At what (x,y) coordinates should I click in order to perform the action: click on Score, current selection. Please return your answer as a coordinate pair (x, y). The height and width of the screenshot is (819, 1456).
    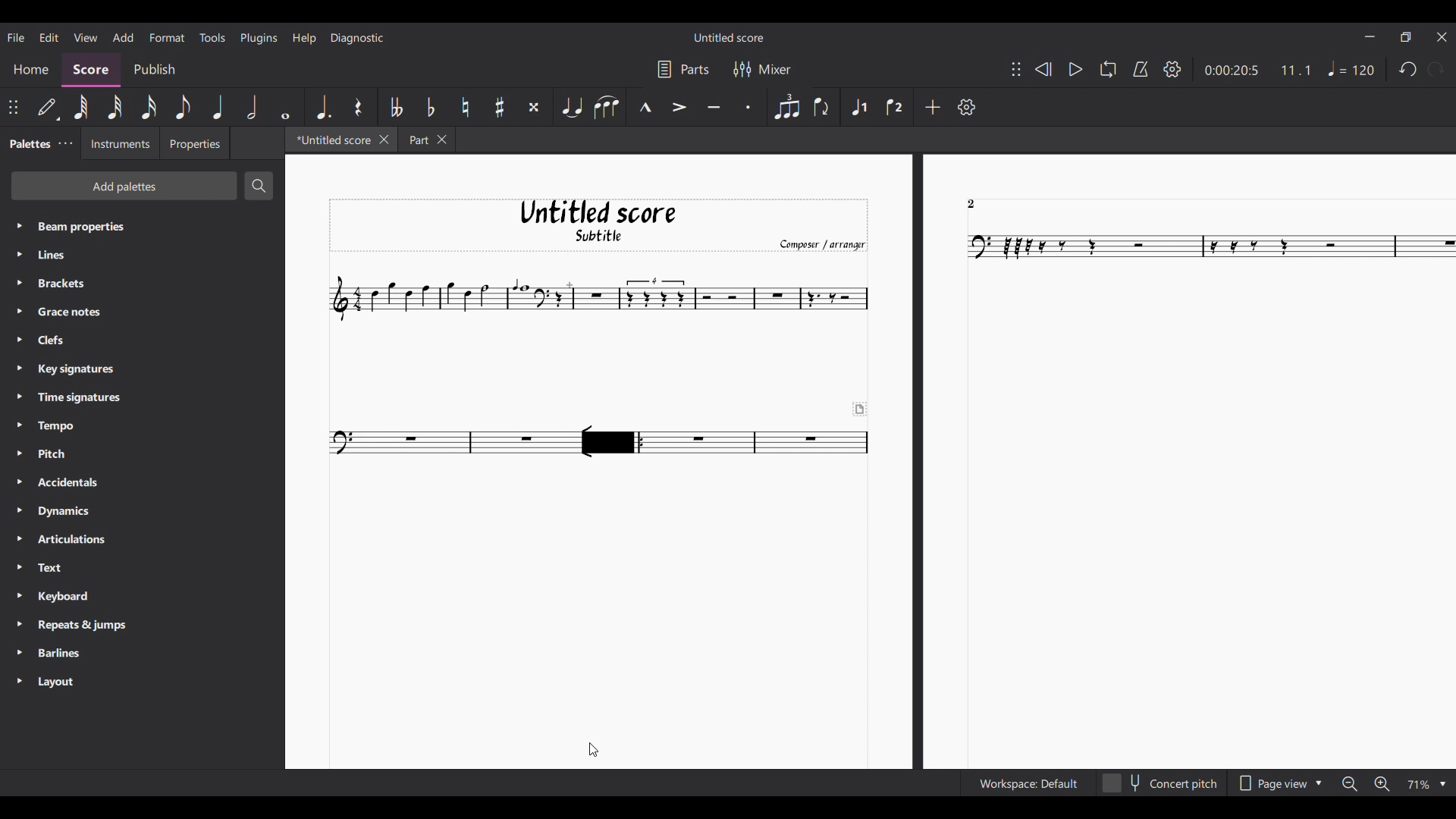
    Looking at the image, I should click on (91, 71).